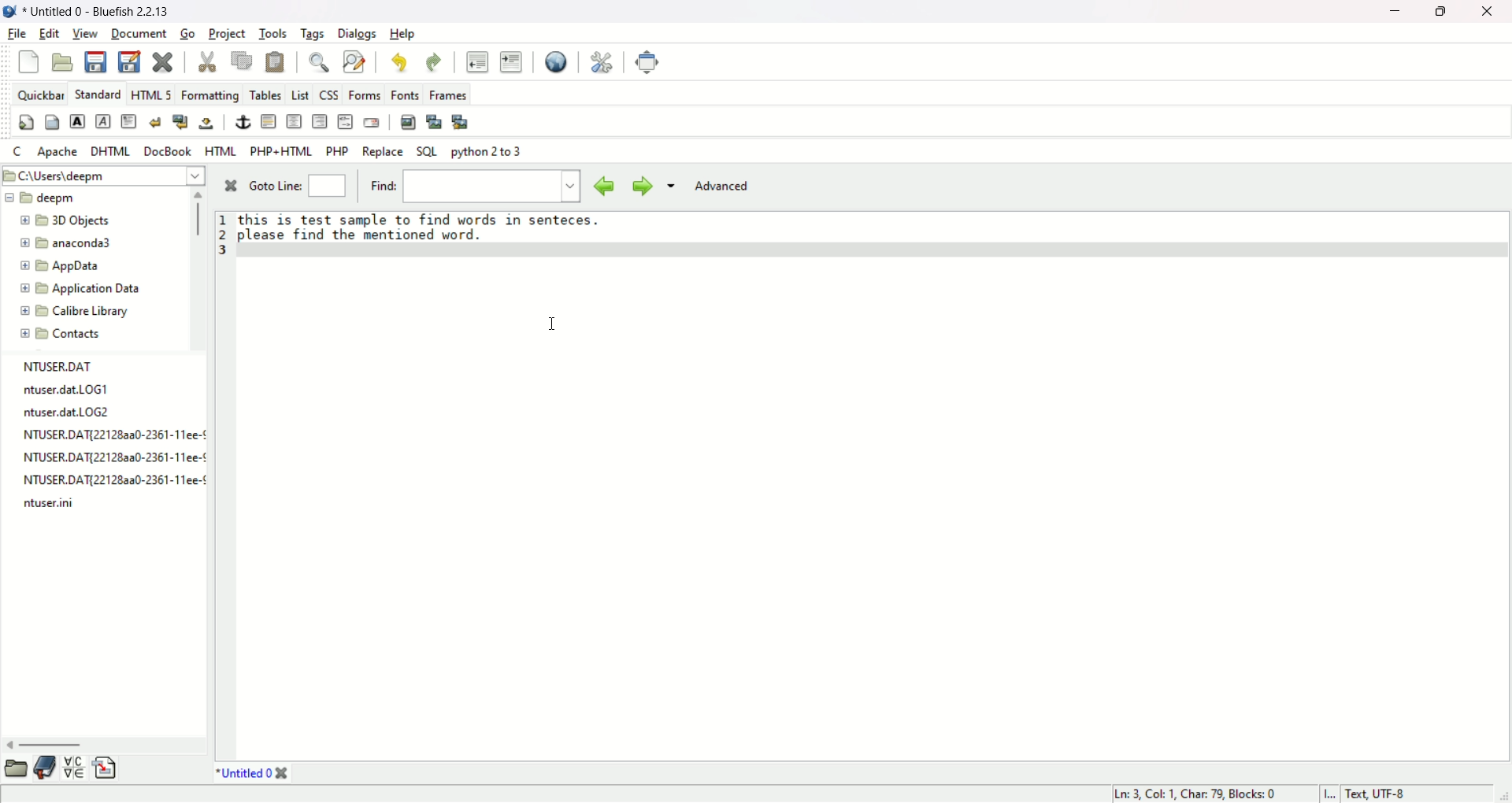 Image resolution: width=1512 pixels, height=803 pixels. What do you see at coordinates (44, 198) in the screenshot?
I see `deepm` at bounding box center [44, 198].